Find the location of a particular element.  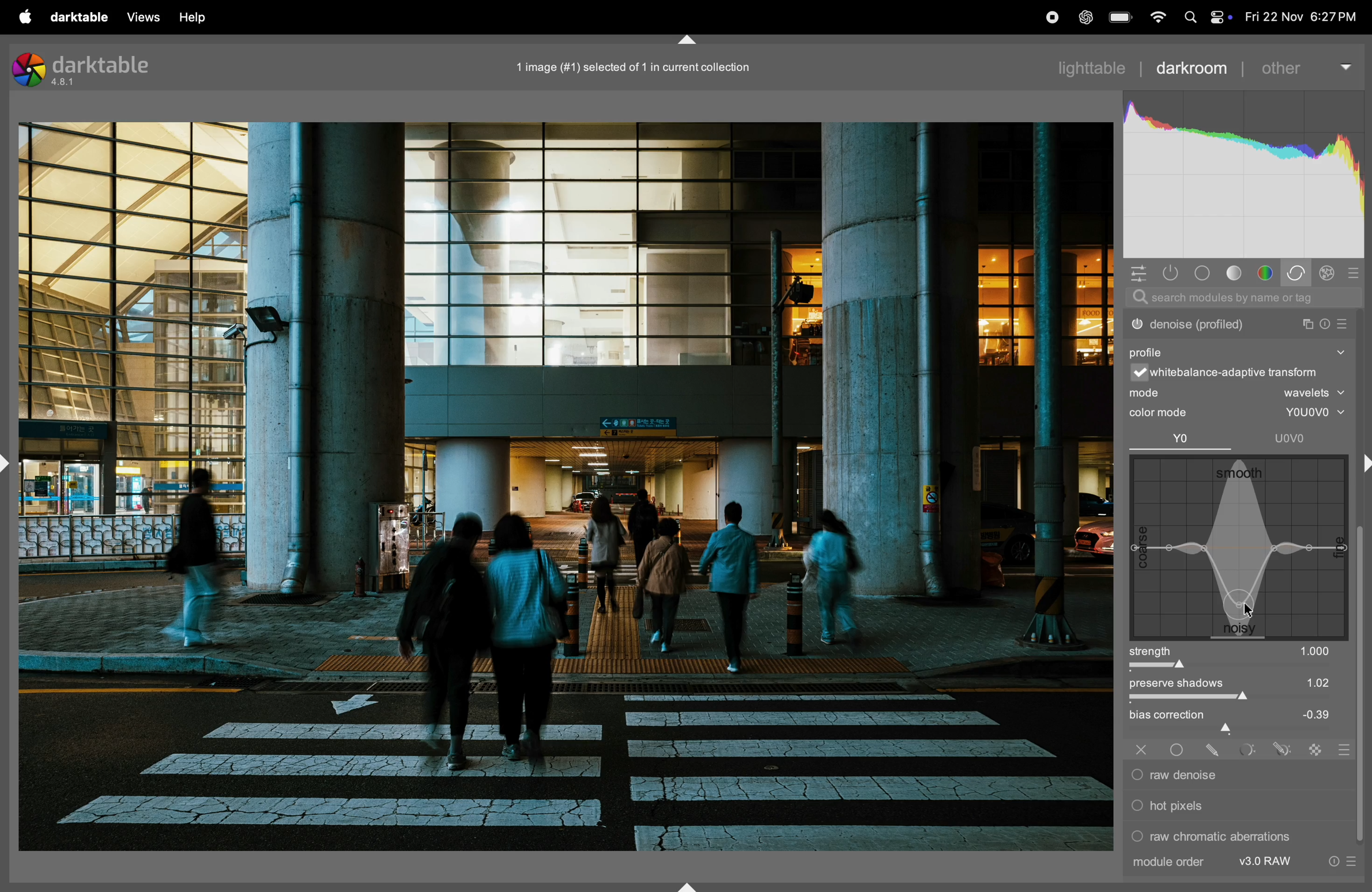

correct is located at coordinates (1299, 273).